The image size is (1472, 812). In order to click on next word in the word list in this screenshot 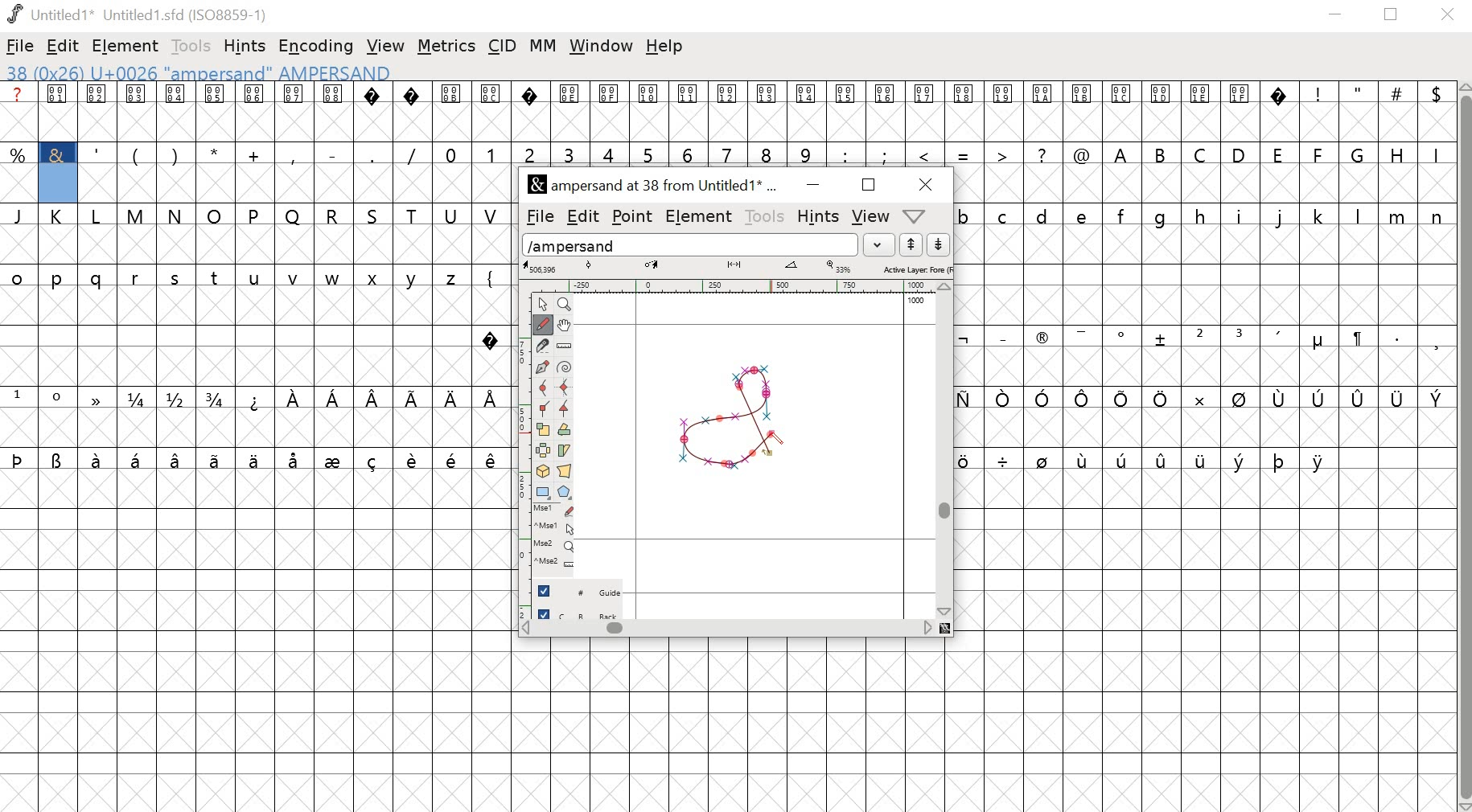, I will do `click(939, 245)`.